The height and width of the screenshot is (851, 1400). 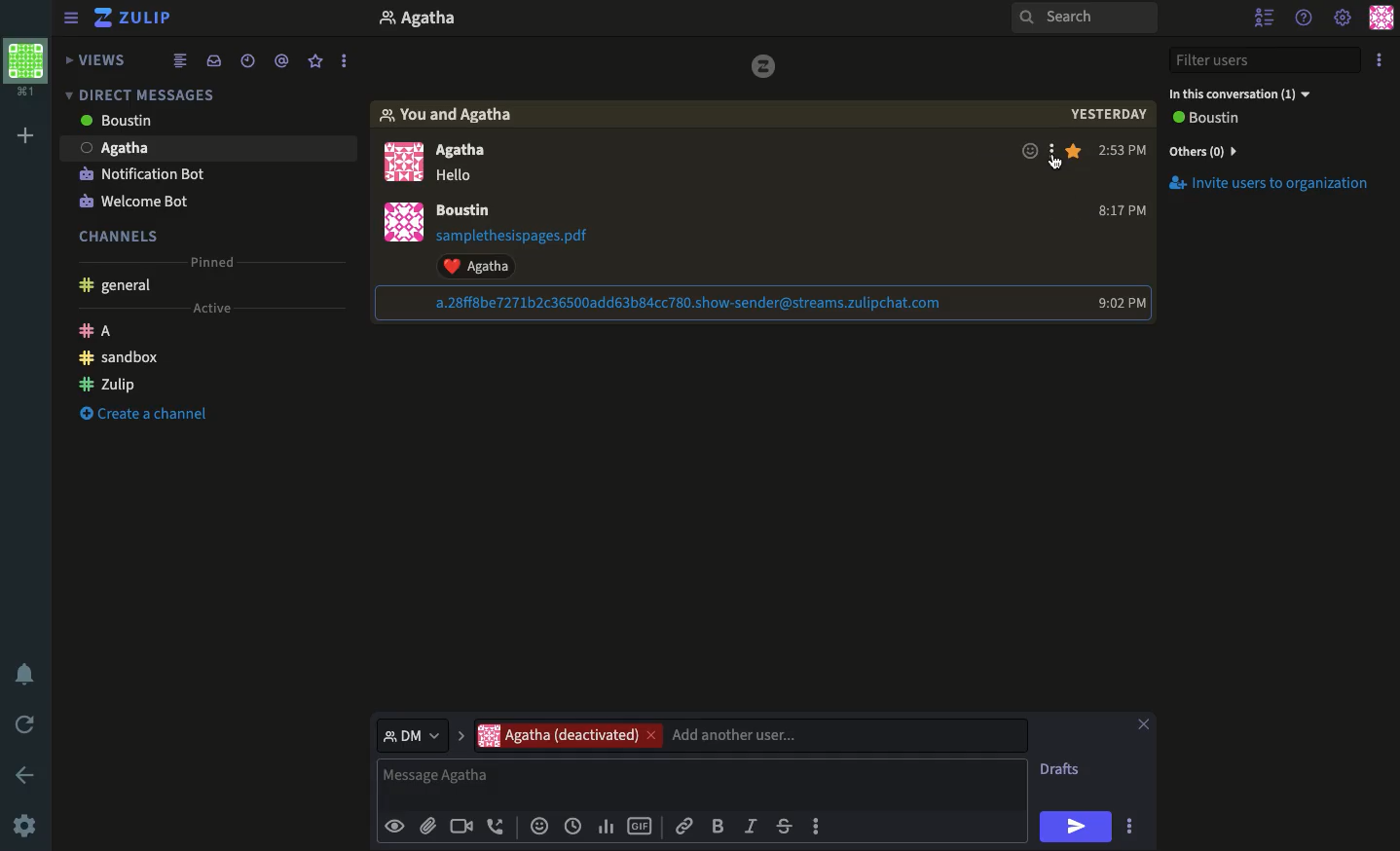 I want to click on Reaction, so click(x=537, y=828).